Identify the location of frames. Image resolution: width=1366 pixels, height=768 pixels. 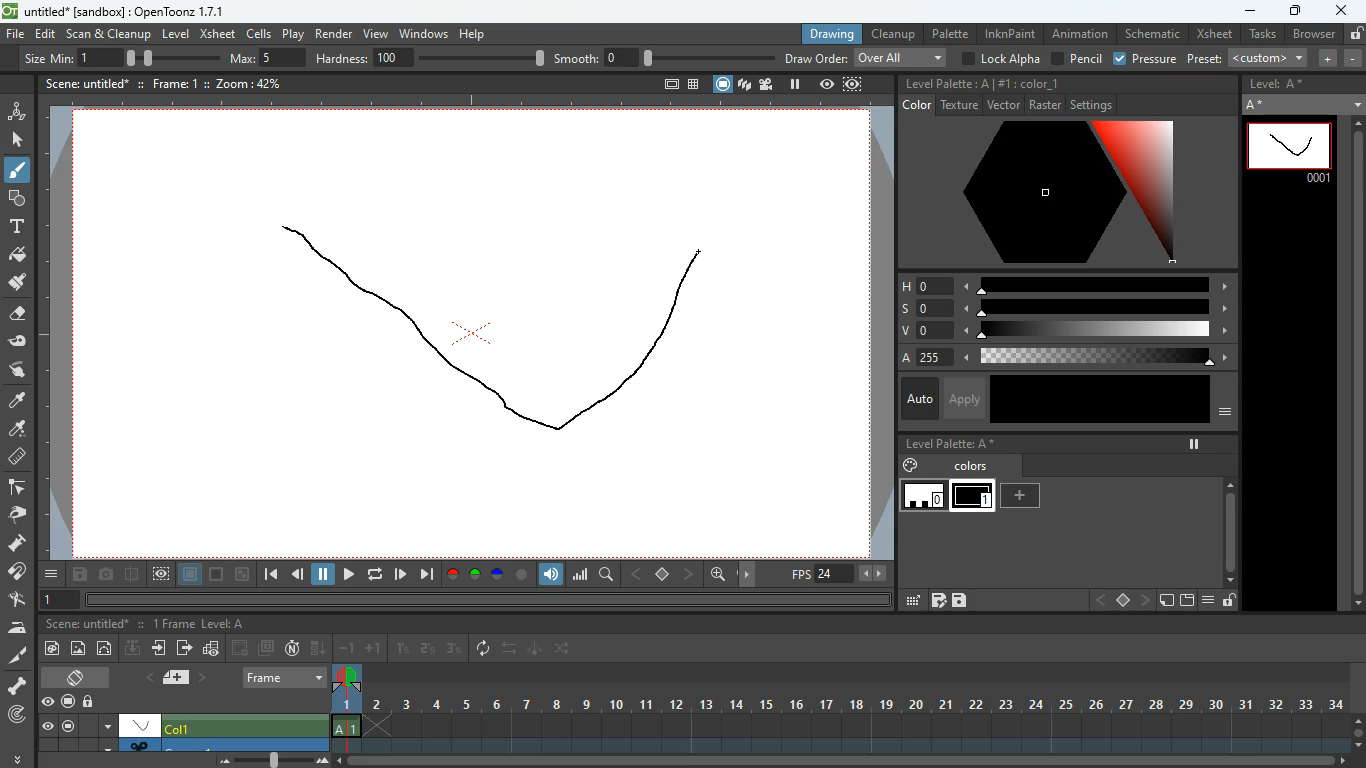
(170, 624).